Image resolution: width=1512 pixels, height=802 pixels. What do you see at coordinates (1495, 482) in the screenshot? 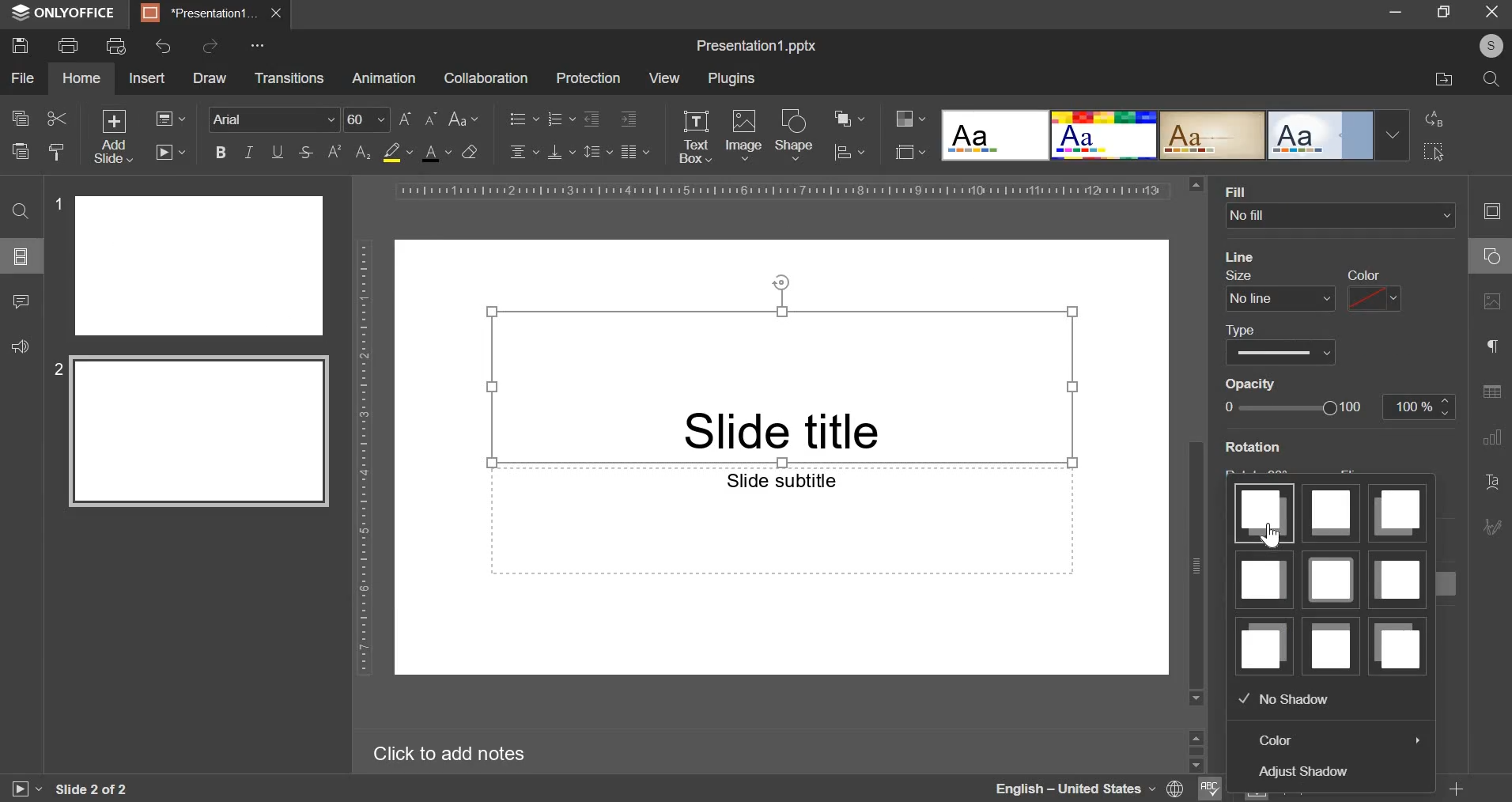
I see `text art settings` at bounding box center [1495, 482].